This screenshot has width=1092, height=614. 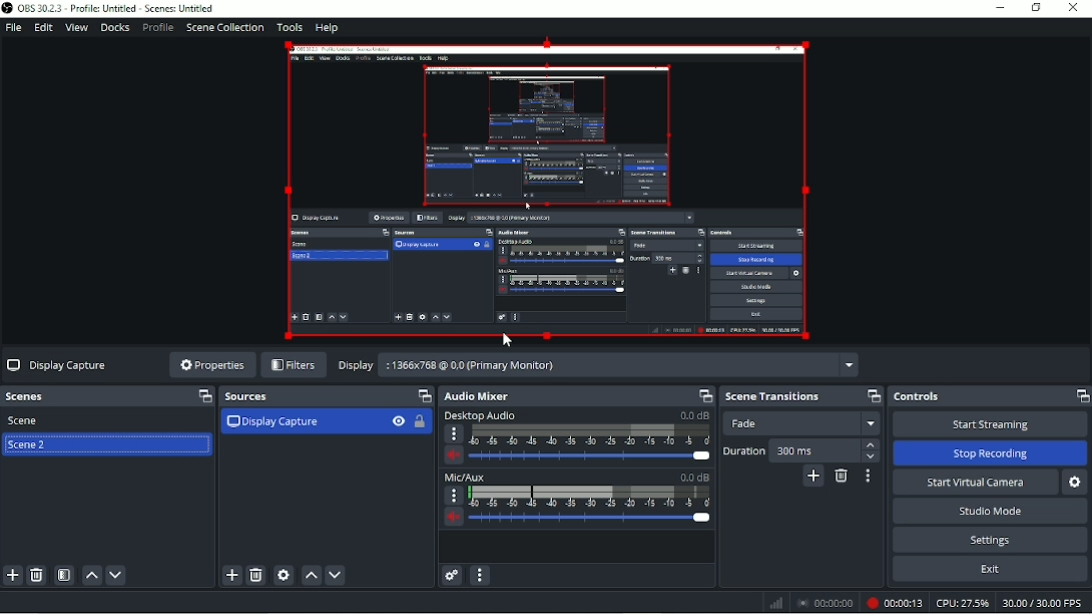 What do you see at coordinates (114, 28) in the screenshot?
I see `Docks` at bounding box center [114, 28].